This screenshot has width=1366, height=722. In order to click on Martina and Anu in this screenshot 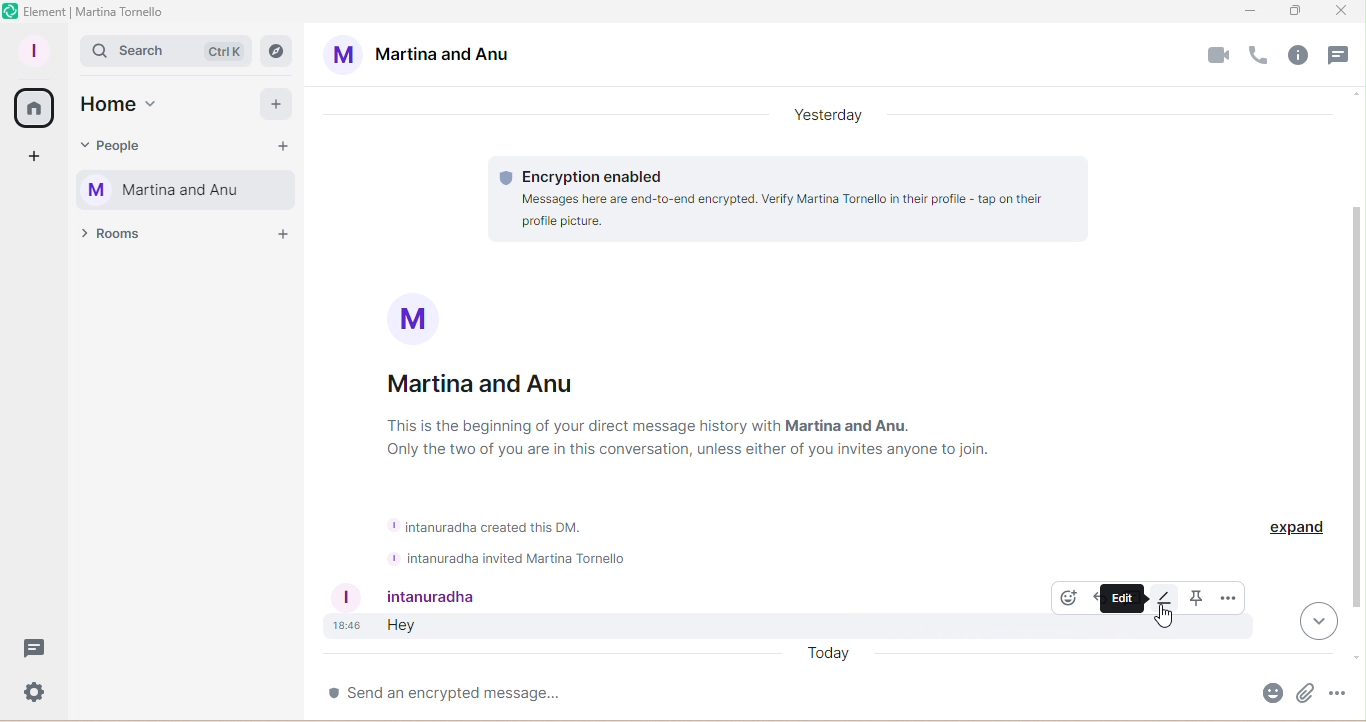, I will do `click(497, 384)`.